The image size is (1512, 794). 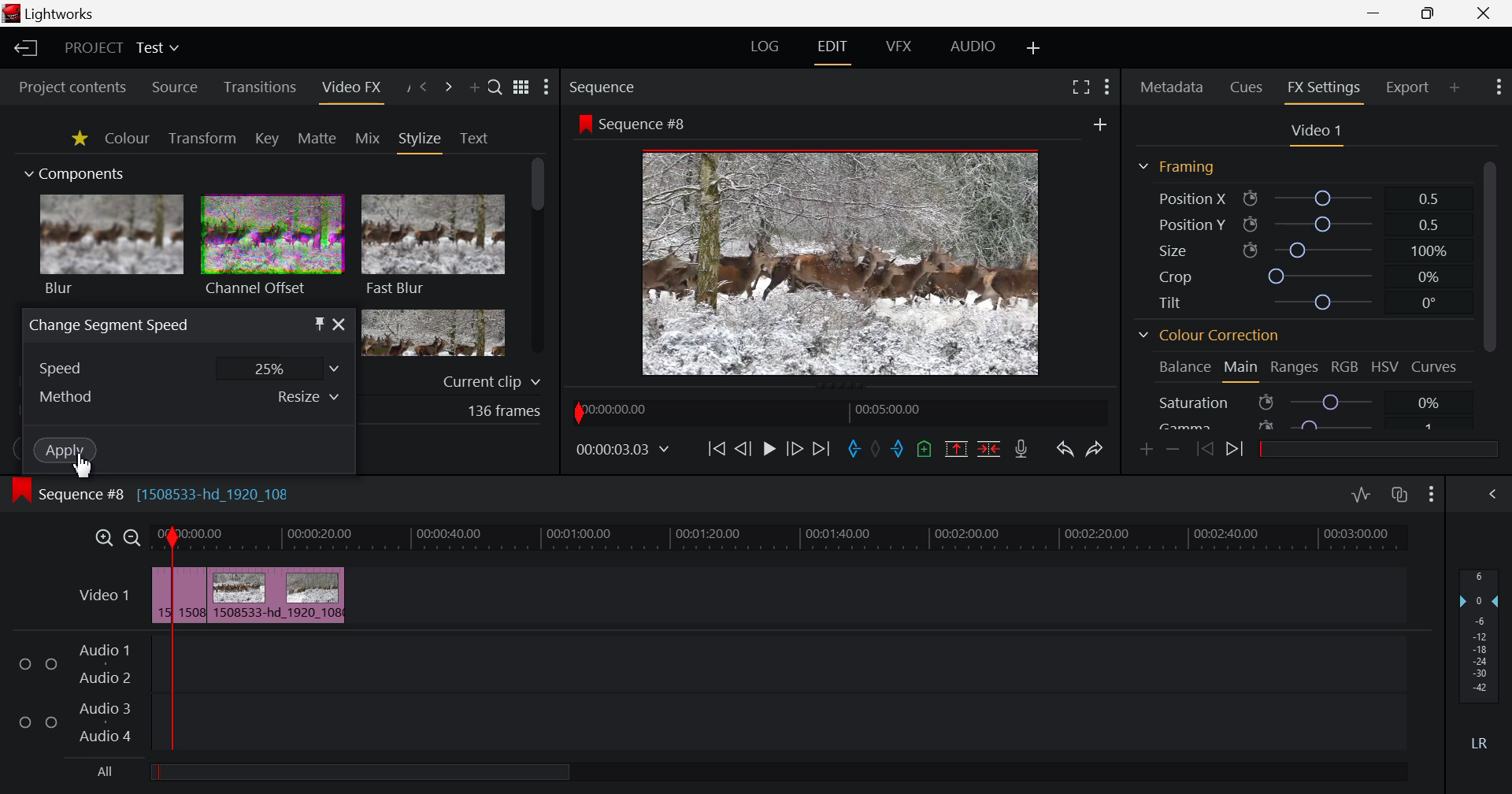 I want to click on Fast Blur, so click(x=434, y=247).